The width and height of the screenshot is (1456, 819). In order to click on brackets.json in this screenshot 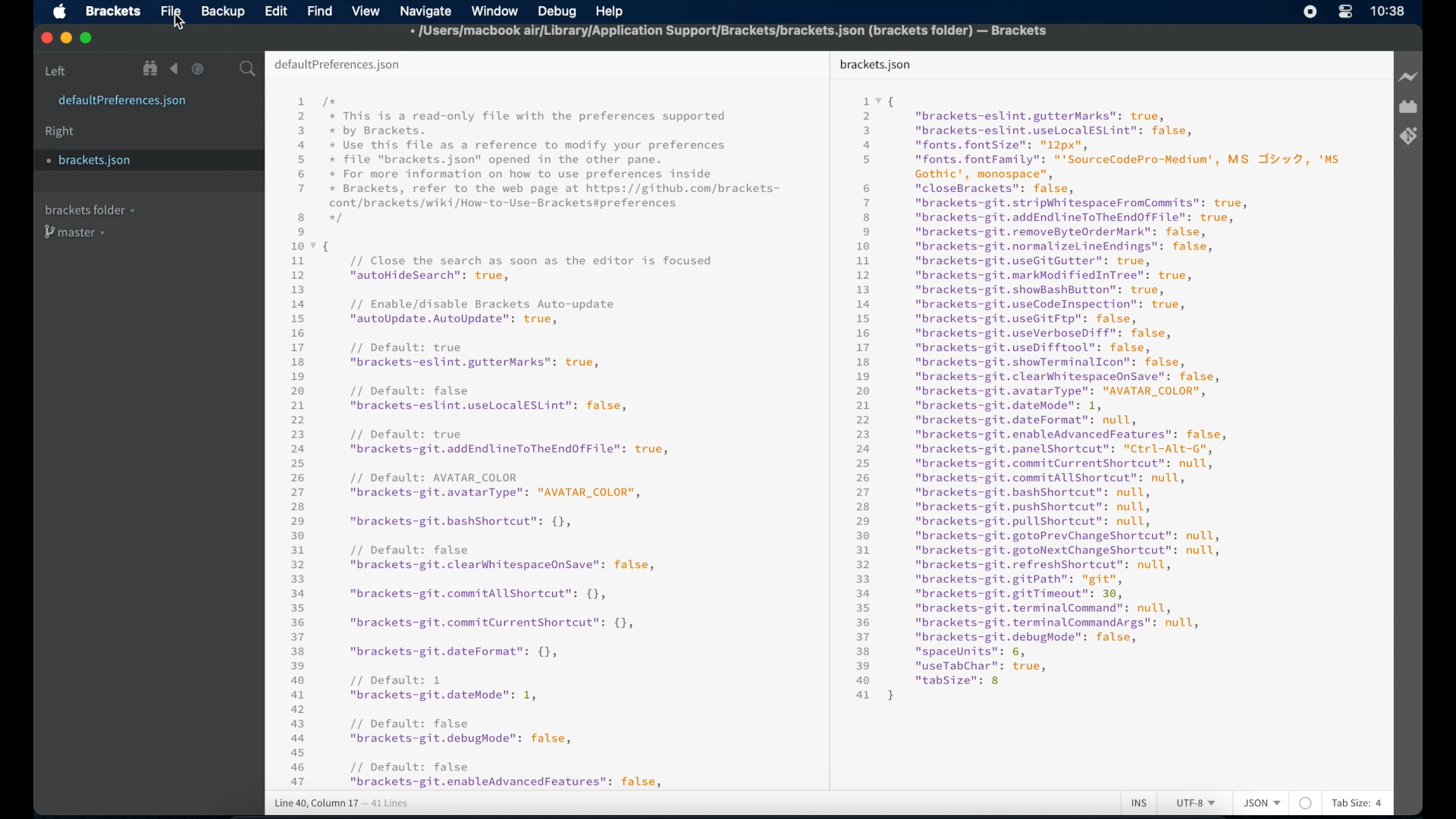, I will do `click(89, 161)`.